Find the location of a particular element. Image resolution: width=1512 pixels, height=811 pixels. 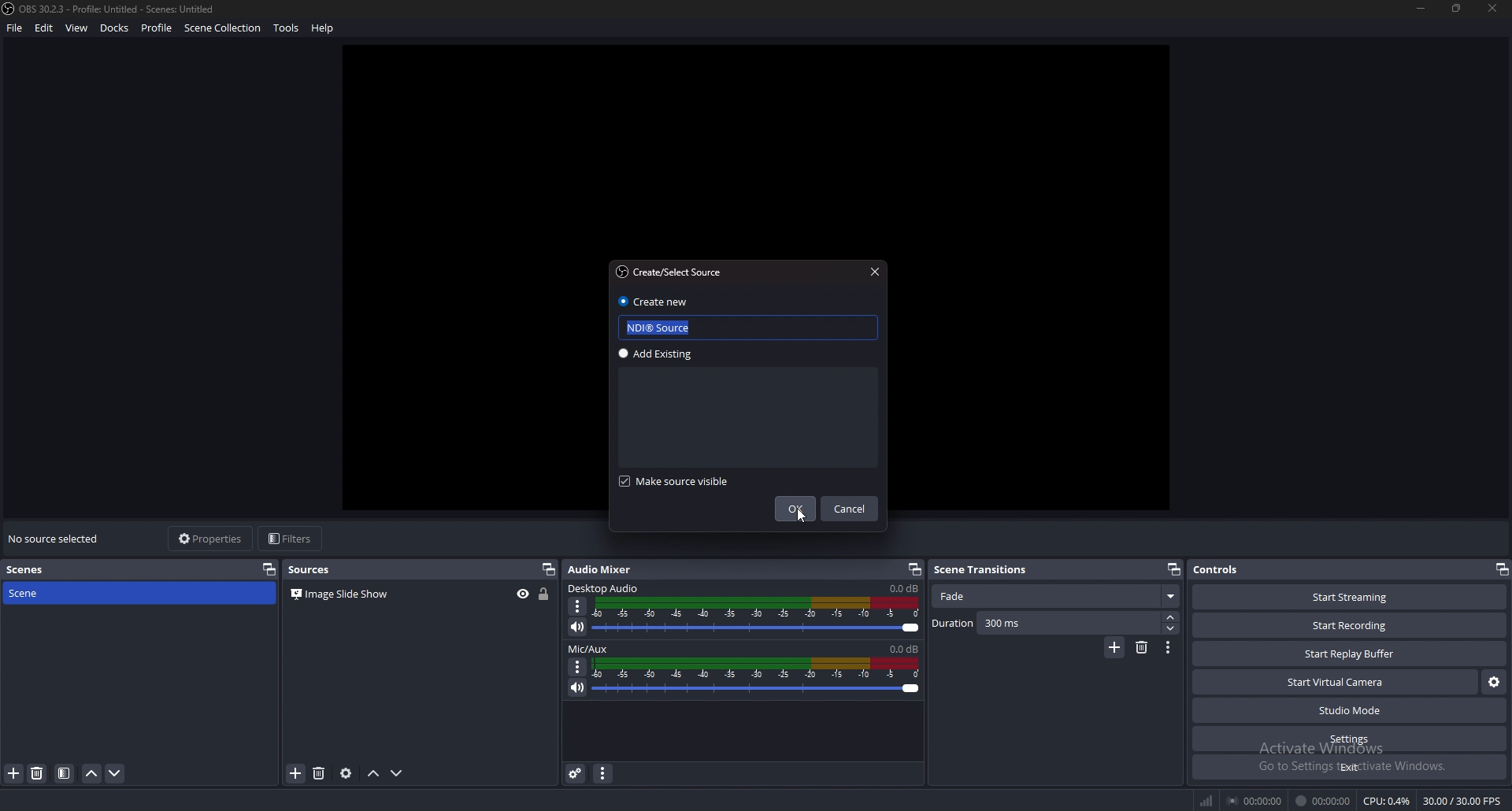

controls is located at coordinates (1237, 568).